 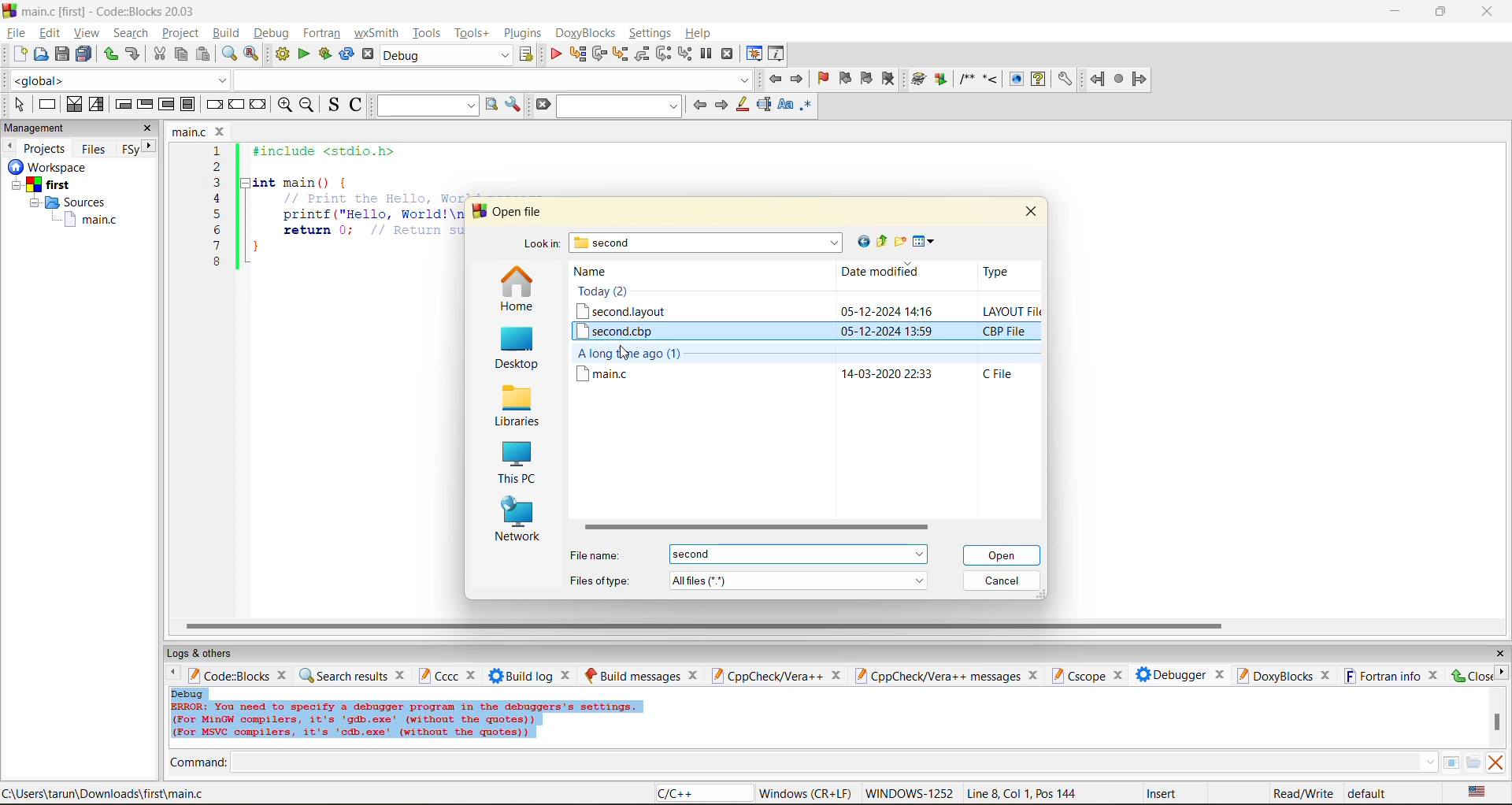 What do you see at coordinates (1451, 762) in the screenshot?
I see `tables` at bounding box center [1451, 762].